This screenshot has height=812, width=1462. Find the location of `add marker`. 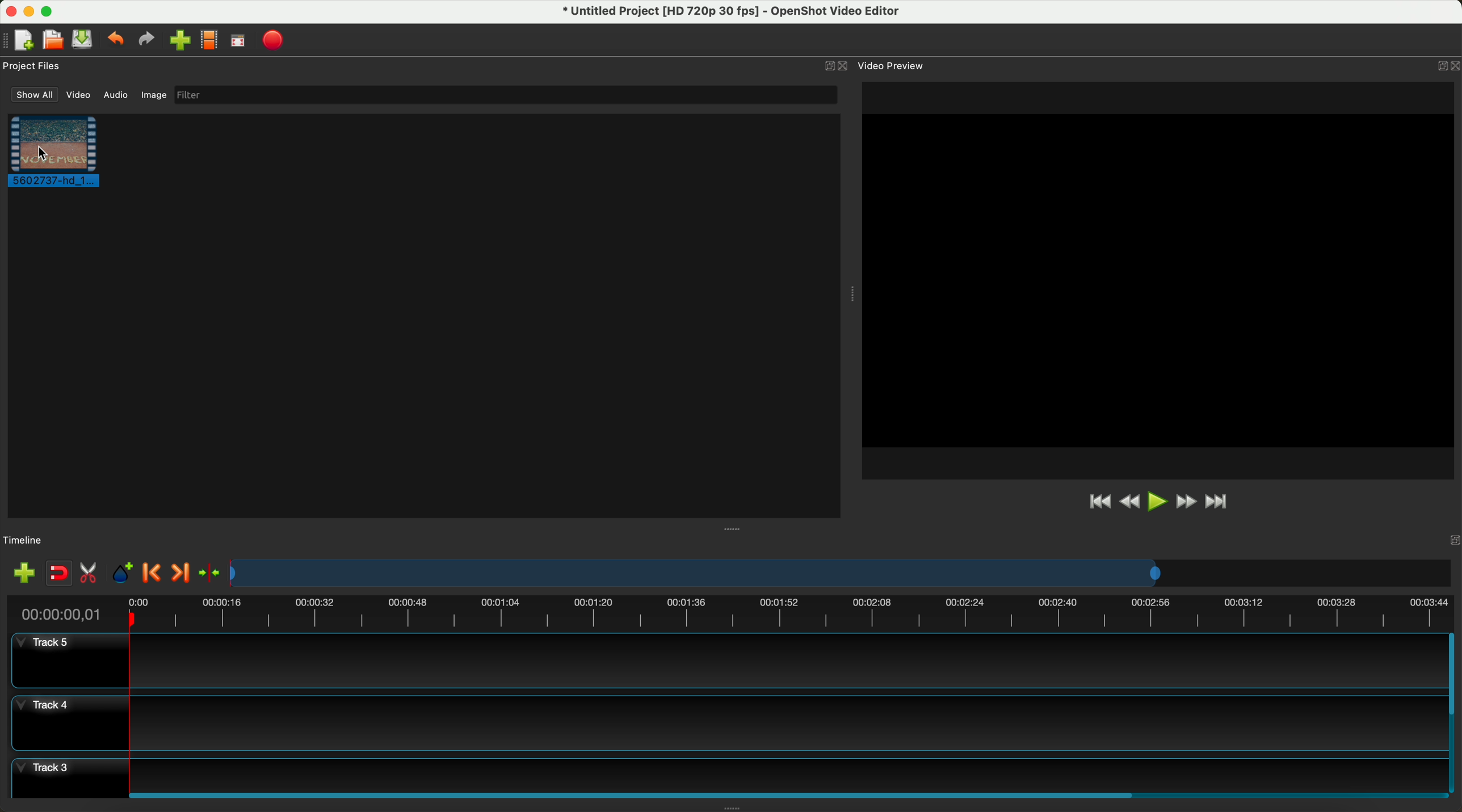

add marker is located at coordinates (123, 574).